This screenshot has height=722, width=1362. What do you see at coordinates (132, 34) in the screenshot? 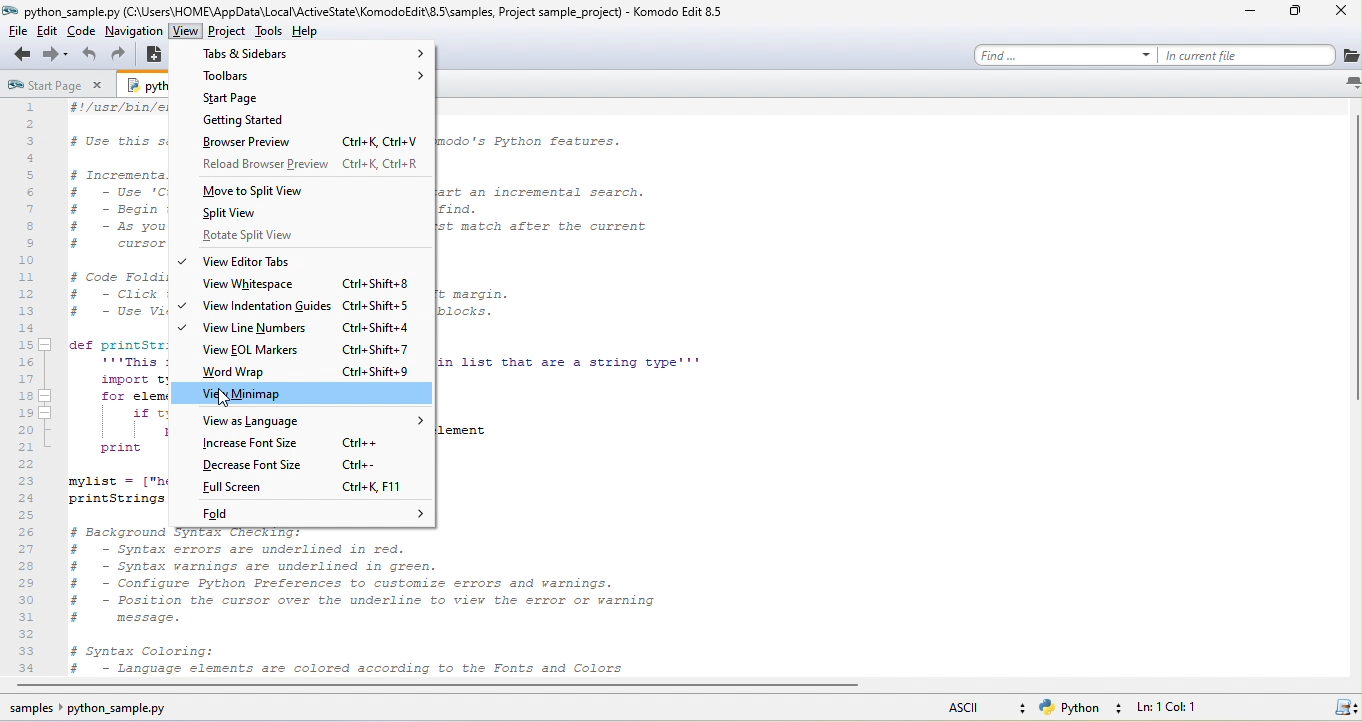
I see `nevigation` at bounding box center [132, 34].